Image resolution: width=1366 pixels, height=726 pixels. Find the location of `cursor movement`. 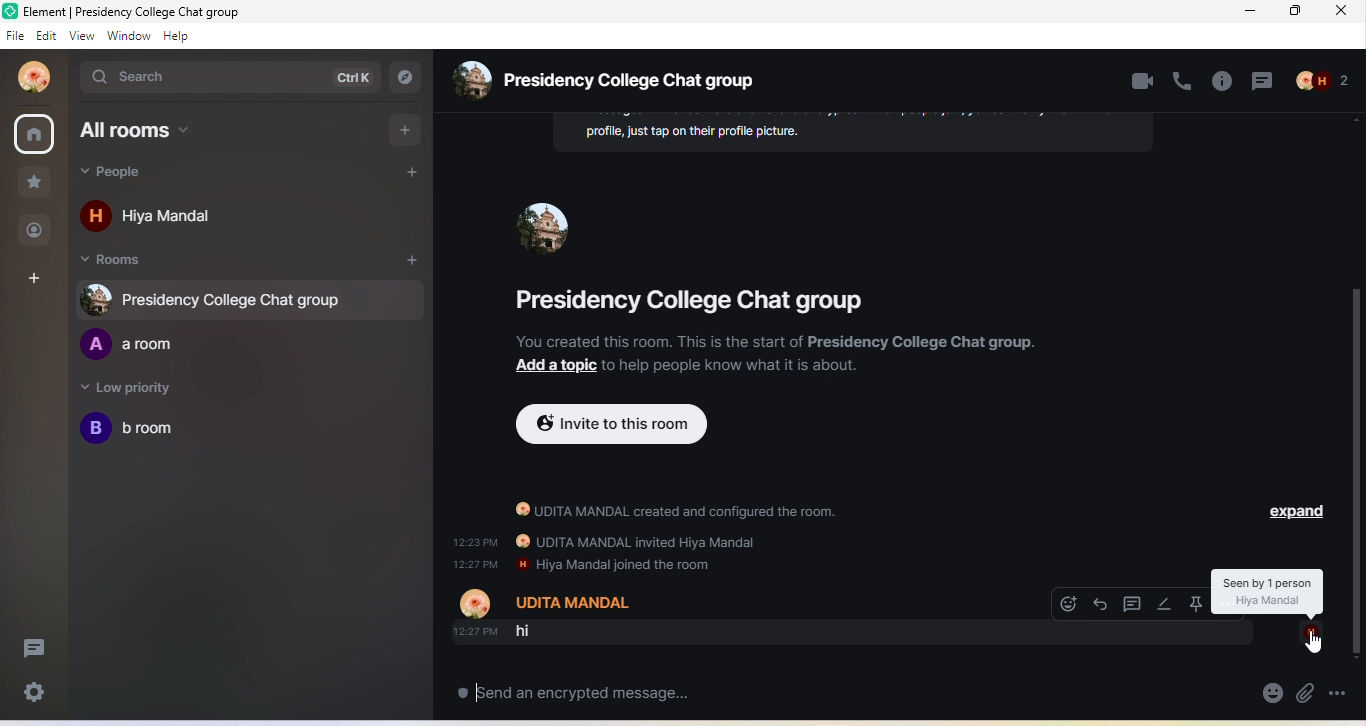

cursor movement is located at coordinates (1316, 643).